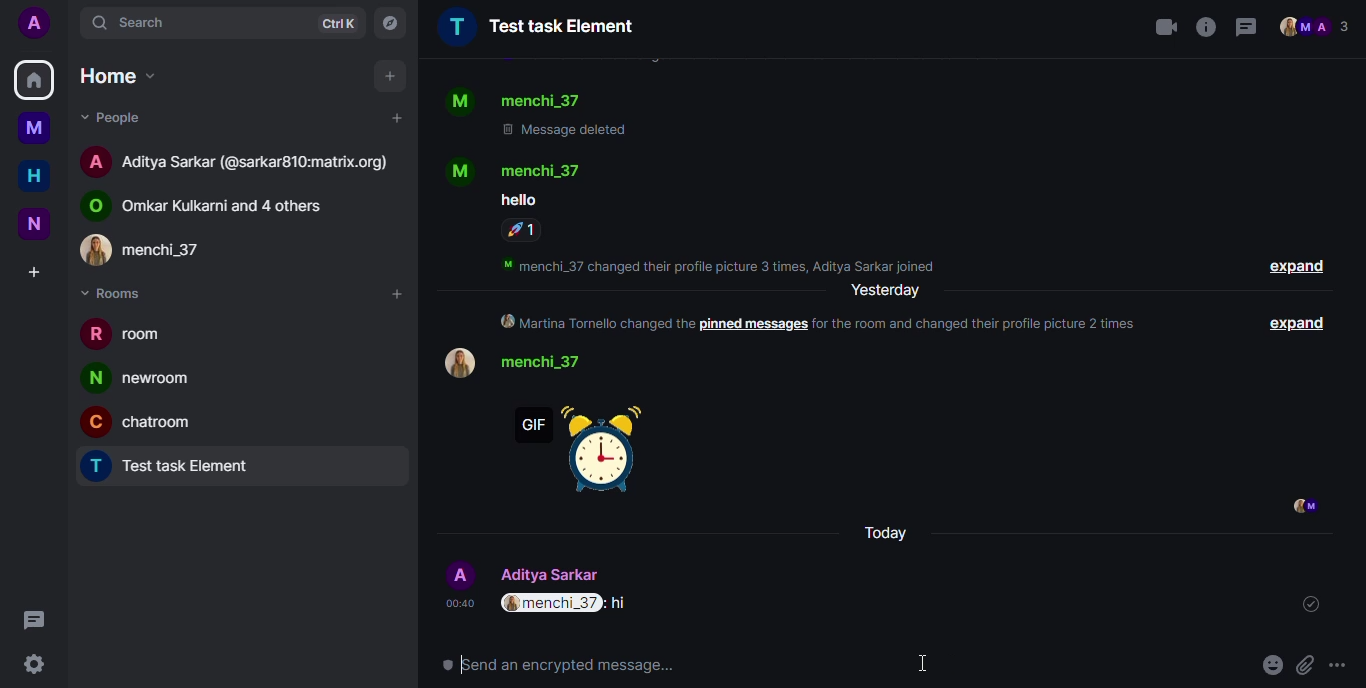 The height and width of the screenshot is (688, 1366). What do you see at coordinates (889, 294) in the screenshot?
I see `yesterday` at bounding box center [889, 294].